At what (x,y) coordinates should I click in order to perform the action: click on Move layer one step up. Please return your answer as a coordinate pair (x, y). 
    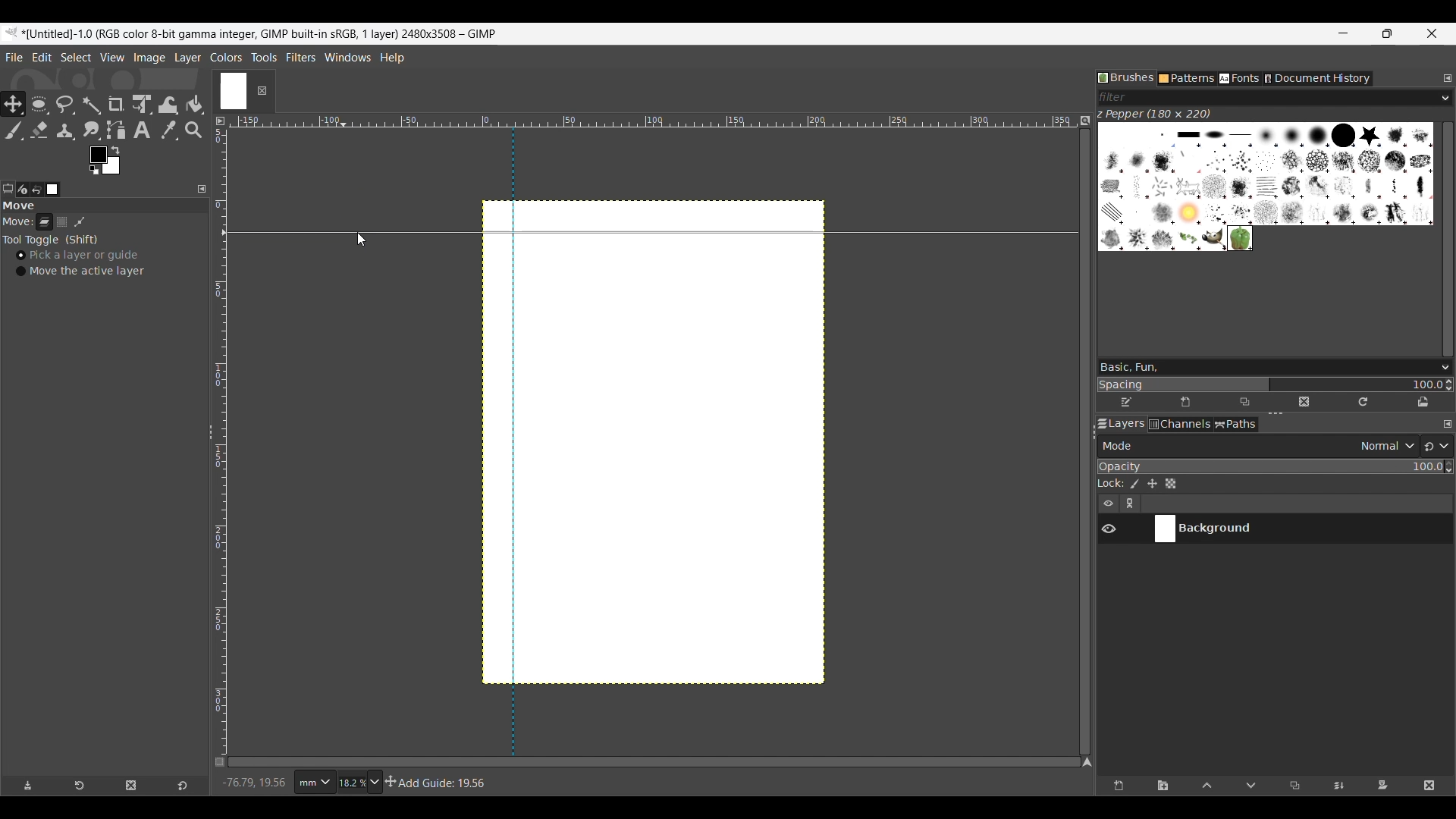
    Looking at the image, I should click on (1207, 786).